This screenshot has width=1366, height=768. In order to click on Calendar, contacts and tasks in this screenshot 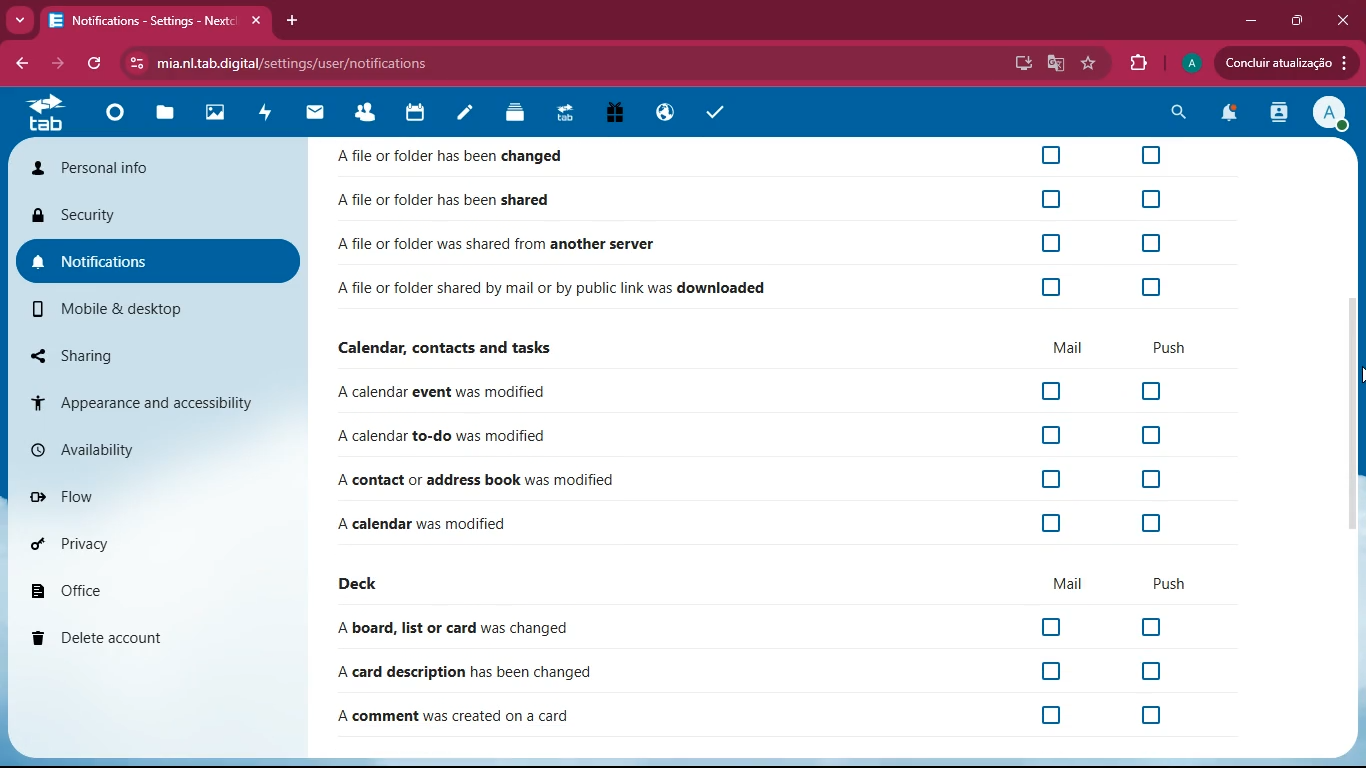, I will do `click(447, 349)`.